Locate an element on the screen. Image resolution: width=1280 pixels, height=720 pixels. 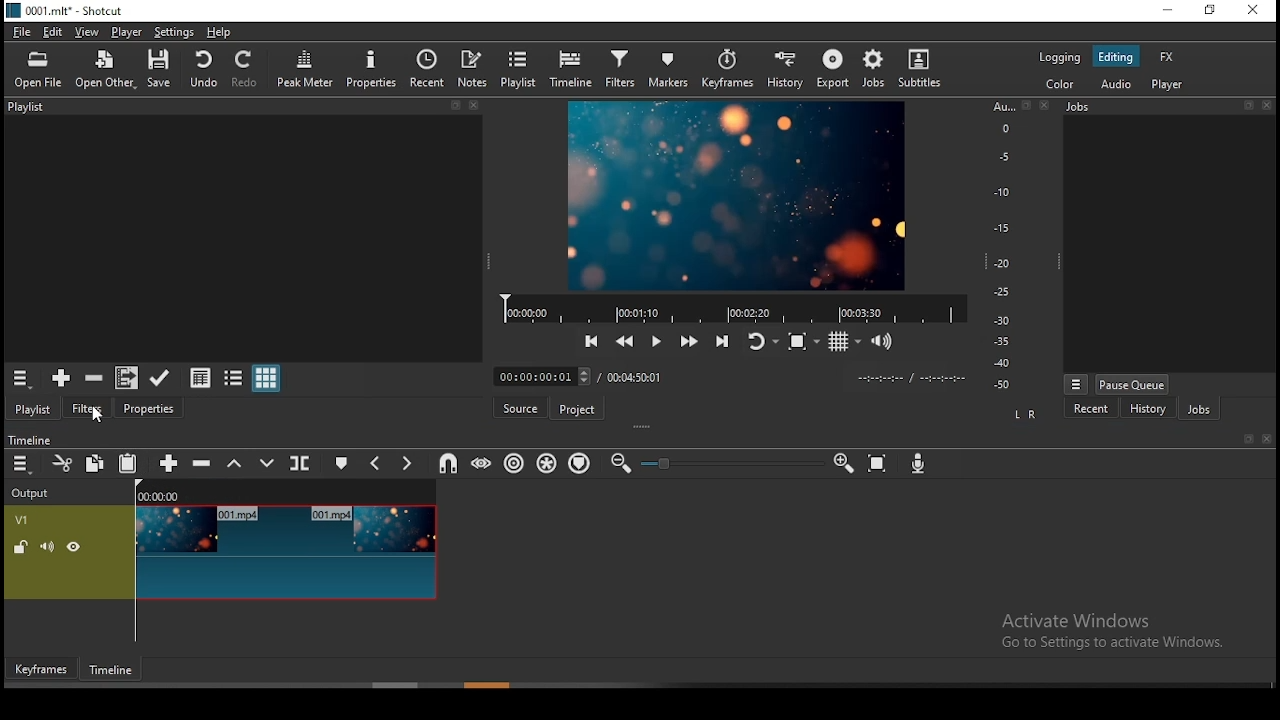
view is located at coordinates (86, 31).